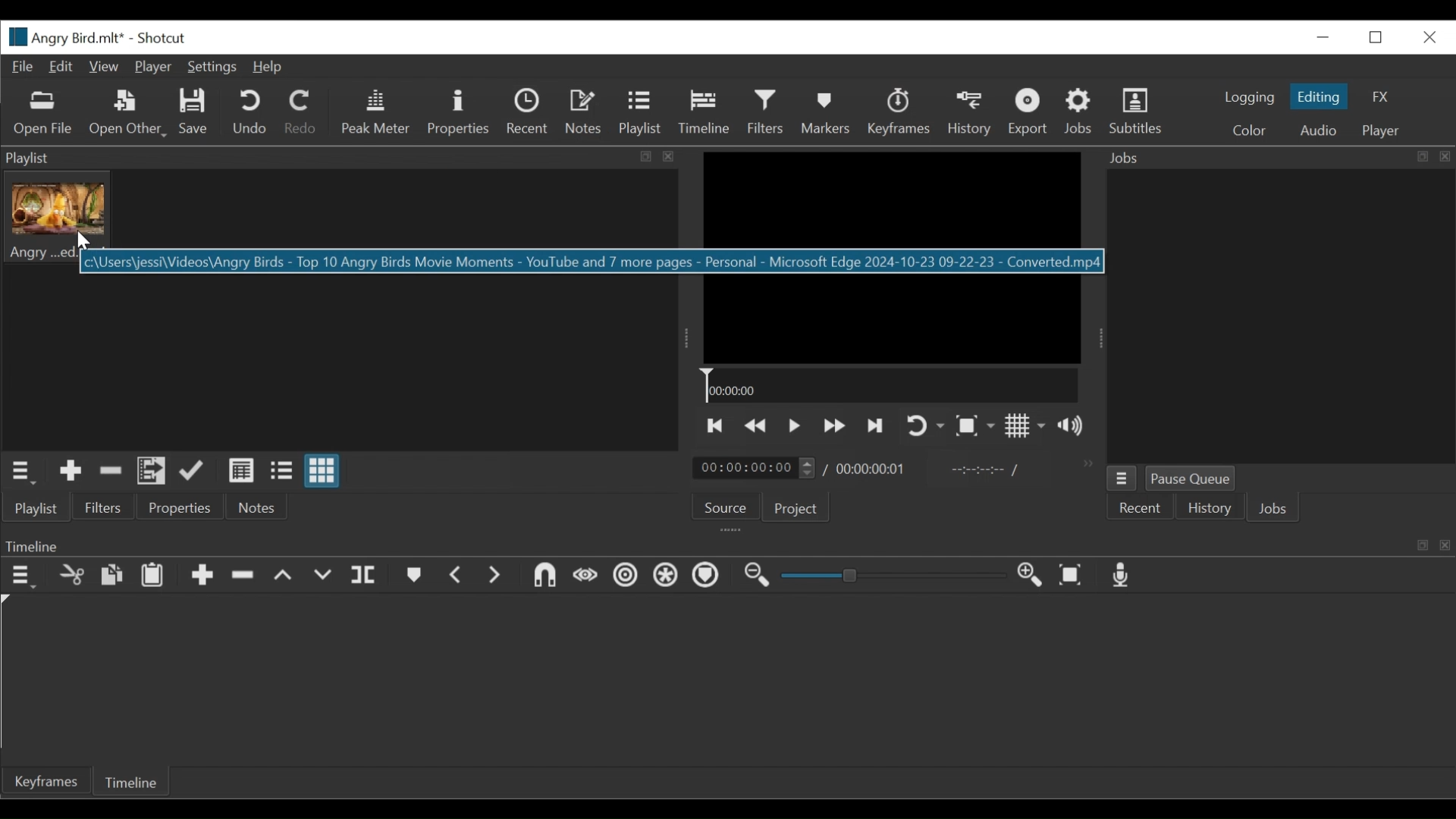 This screenshot has width=1456, height=819. I want to click on Edit, so click(61, 67).